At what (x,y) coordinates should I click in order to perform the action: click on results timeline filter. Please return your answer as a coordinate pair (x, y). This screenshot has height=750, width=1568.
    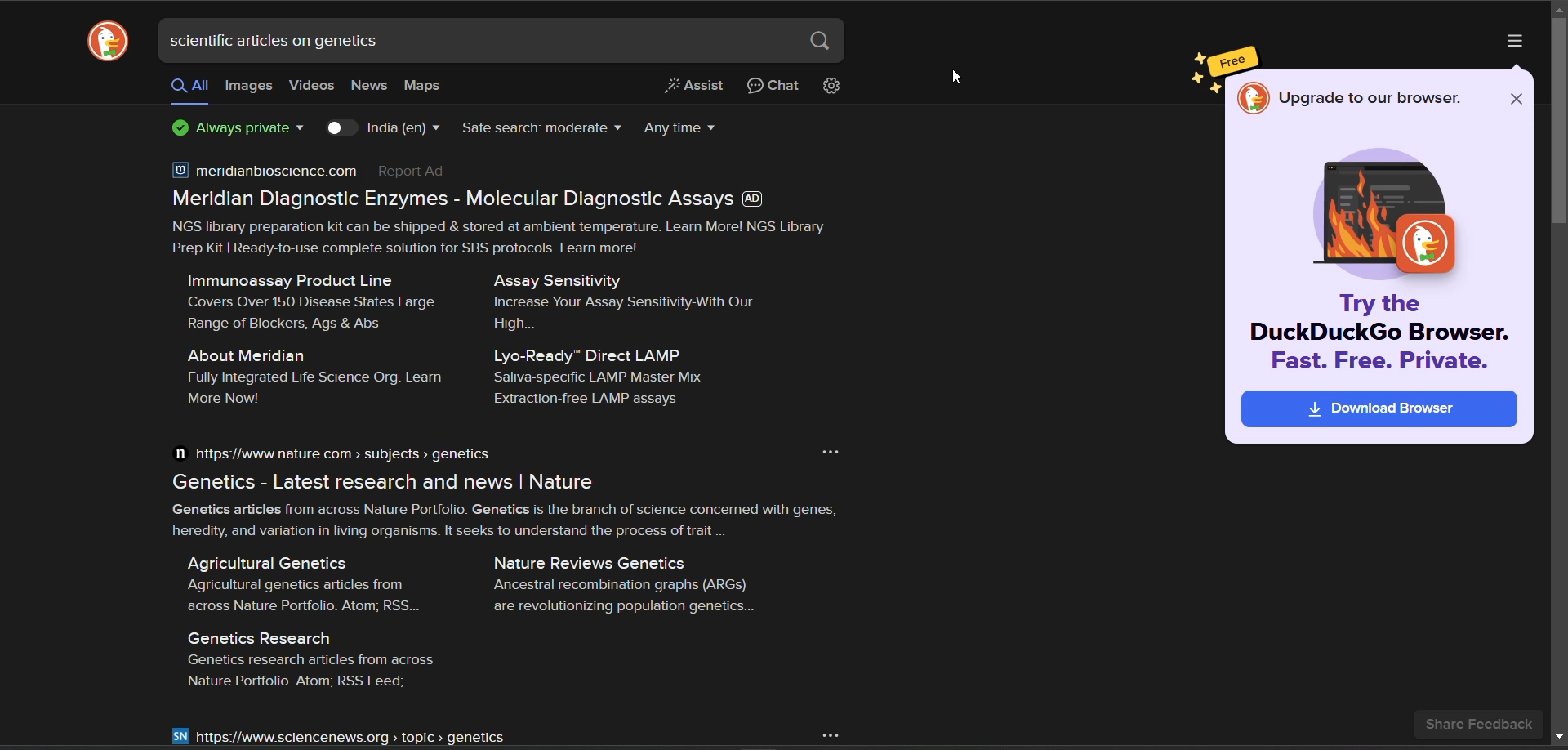
    Looking at the image, I should click on (679, 127).